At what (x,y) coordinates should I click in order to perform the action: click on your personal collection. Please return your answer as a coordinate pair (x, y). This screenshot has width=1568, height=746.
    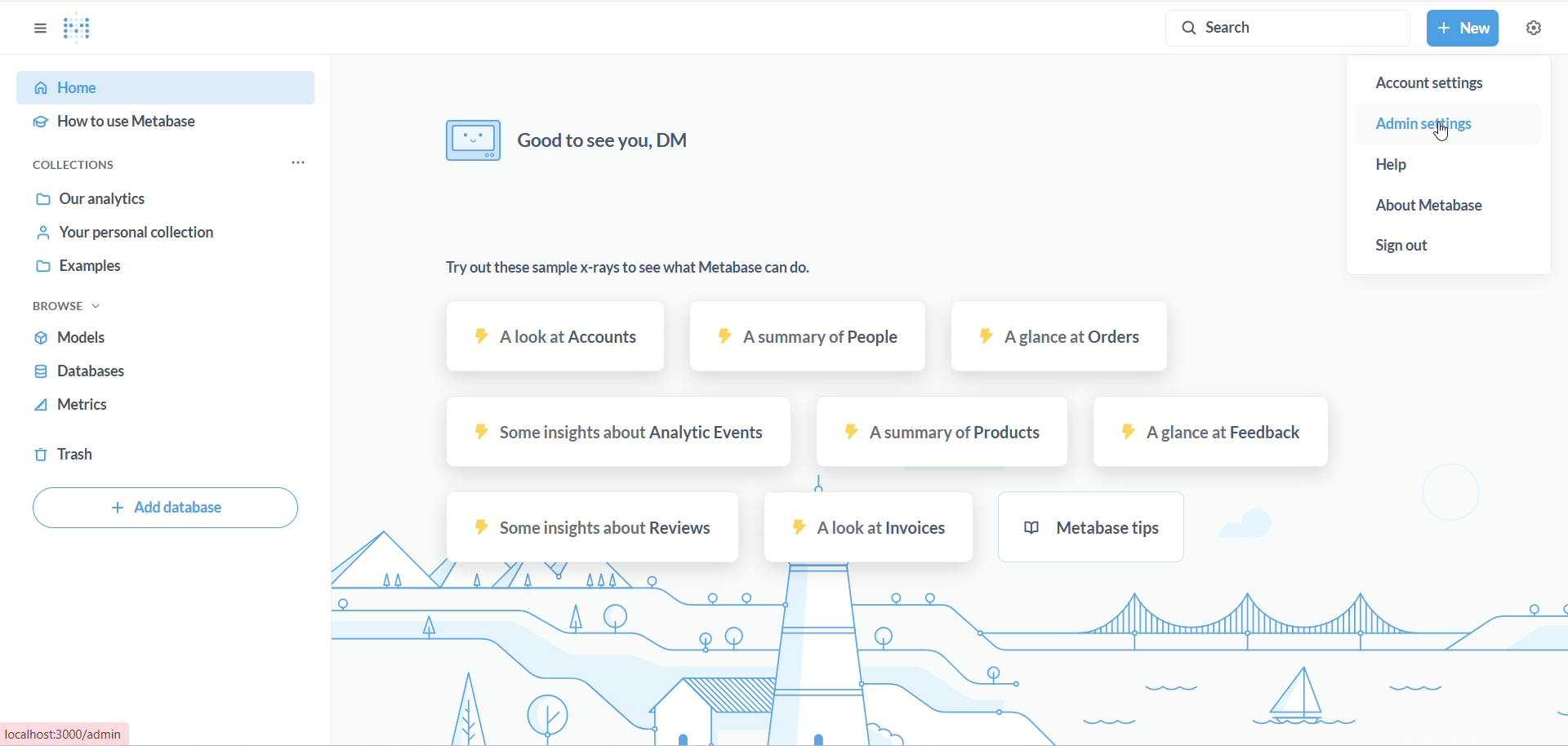
    Looking at the image, I should click on (122, 236).